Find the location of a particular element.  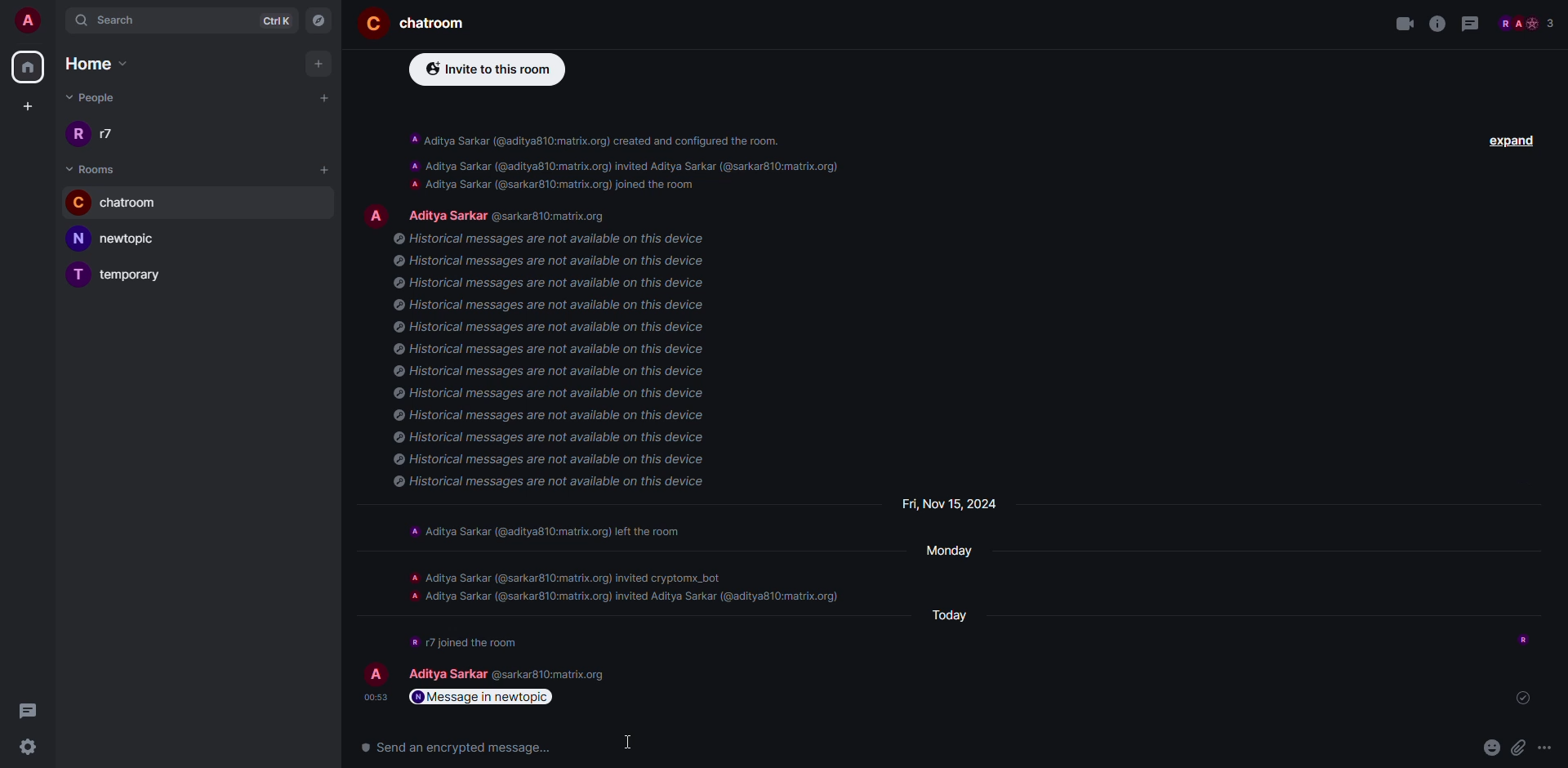

search is located at coordinates (109, 19).